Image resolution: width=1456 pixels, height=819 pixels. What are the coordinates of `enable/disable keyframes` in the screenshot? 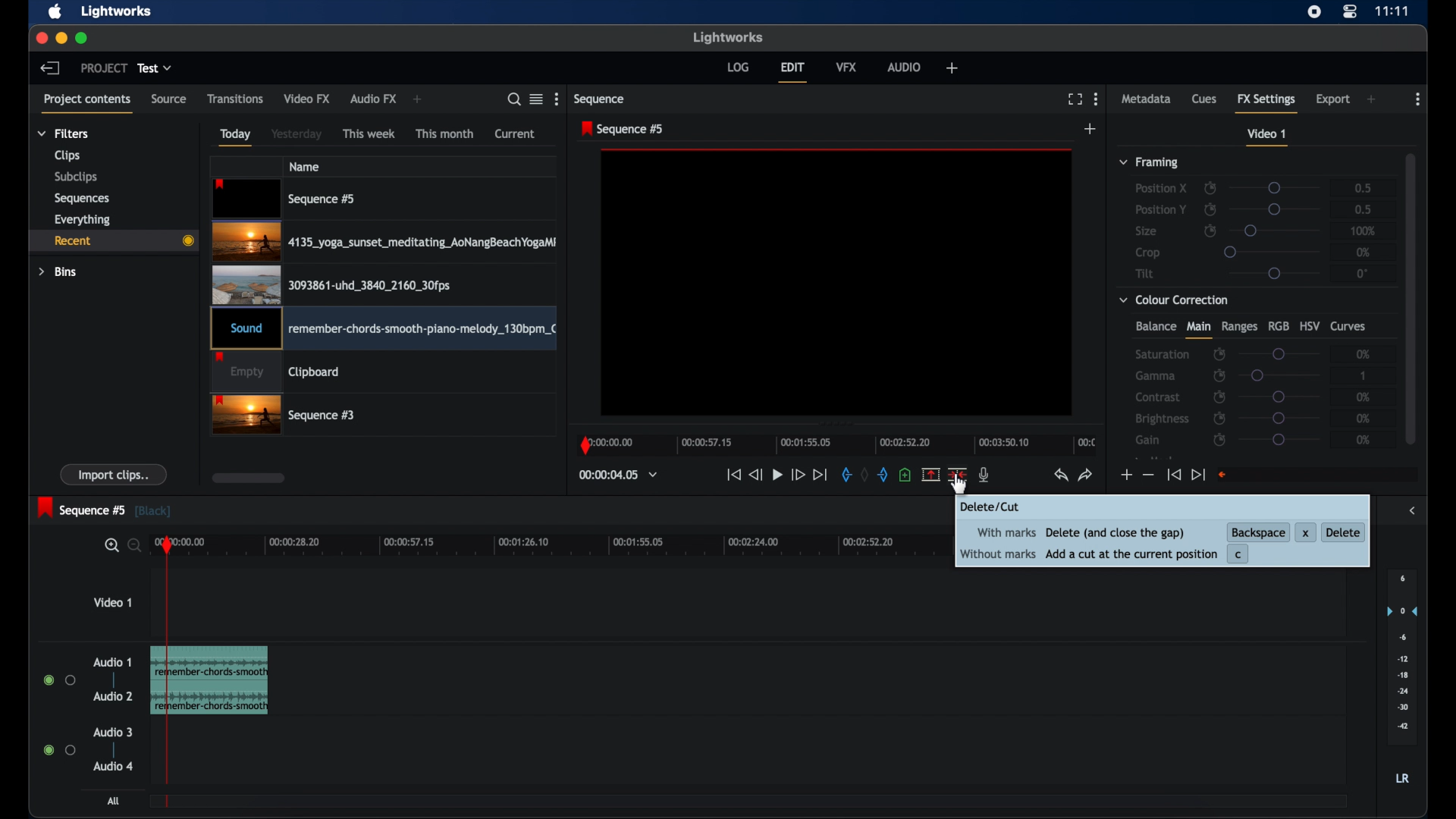 It's located at (1219, 375).